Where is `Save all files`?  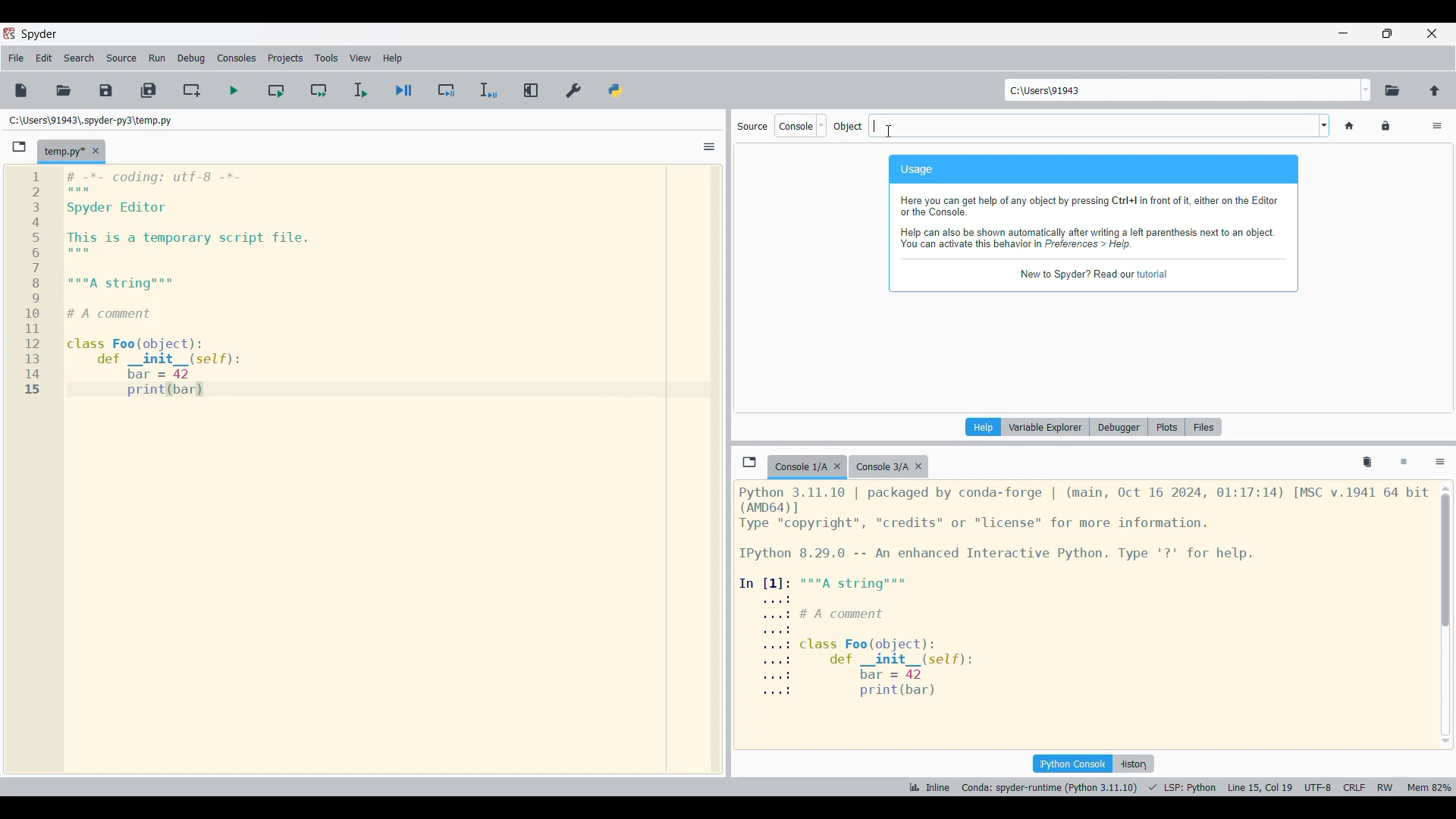
Save all files is located at coordinates (149, 90).